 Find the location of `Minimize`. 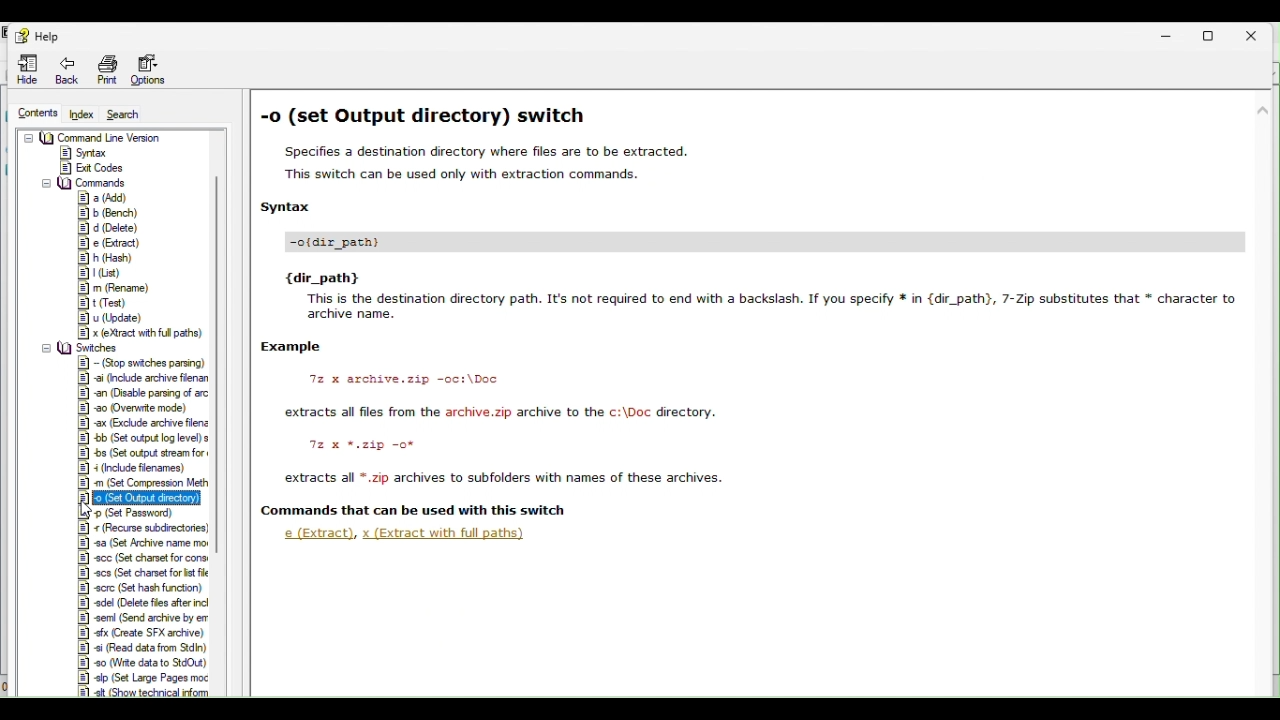

Minimize is located at coordinates (1176, 33).